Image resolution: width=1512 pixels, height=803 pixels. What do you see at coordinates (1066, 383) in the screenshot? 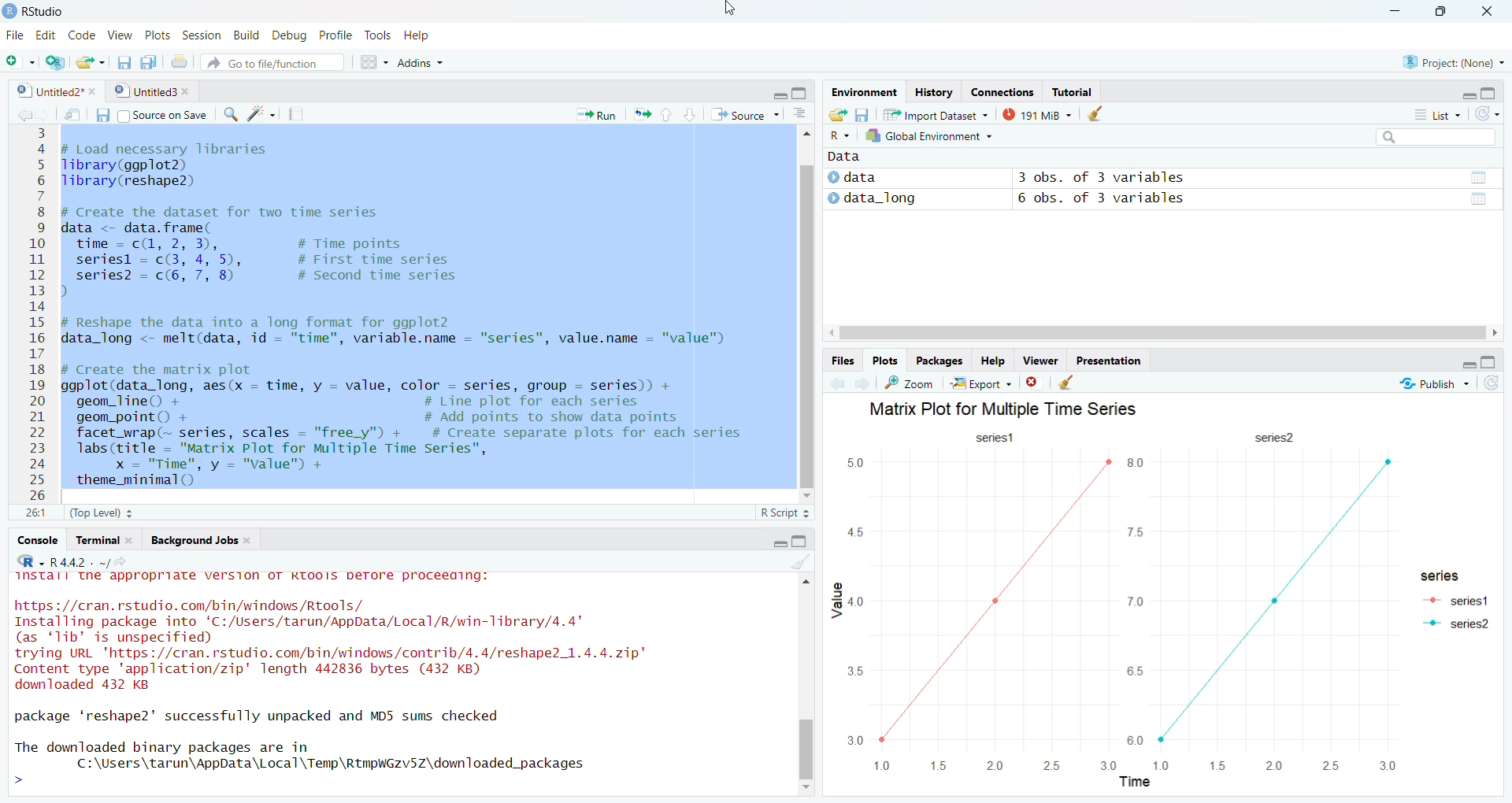
I see `cleaner` at bounding box center [1066, 383].